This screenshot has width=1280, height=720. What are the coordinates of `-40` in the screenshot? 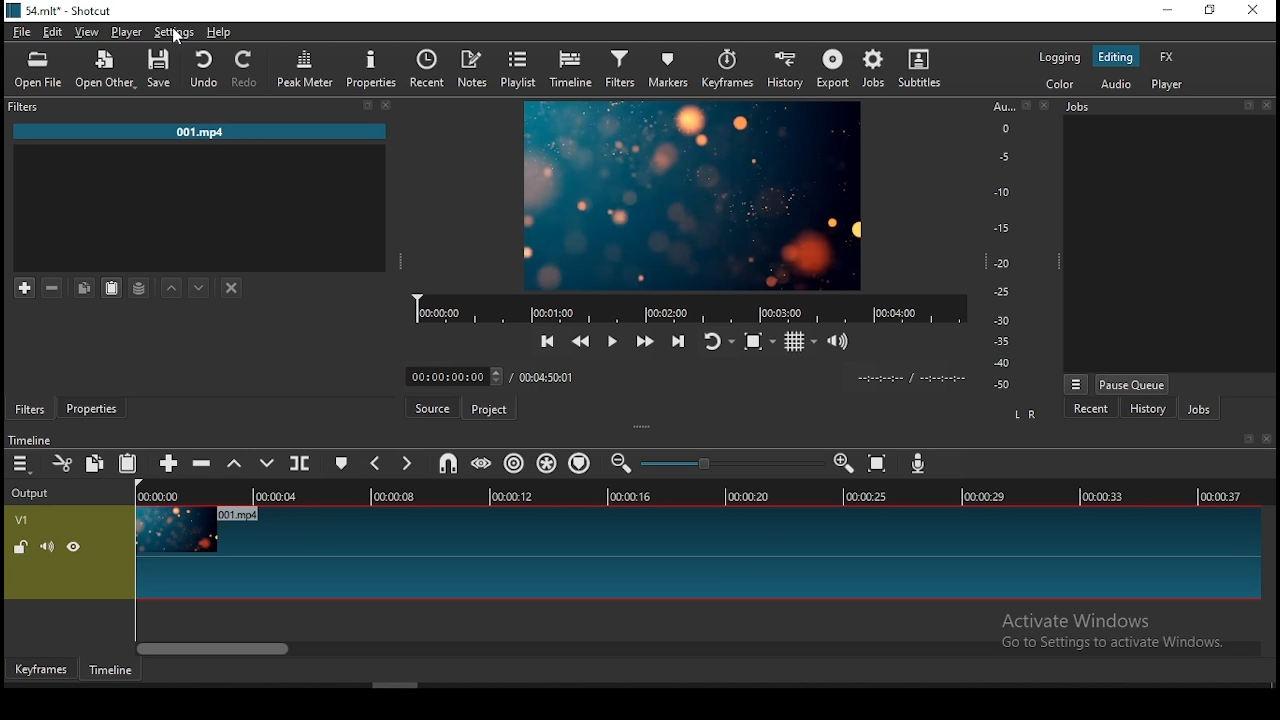 It's located at (1002, 363).